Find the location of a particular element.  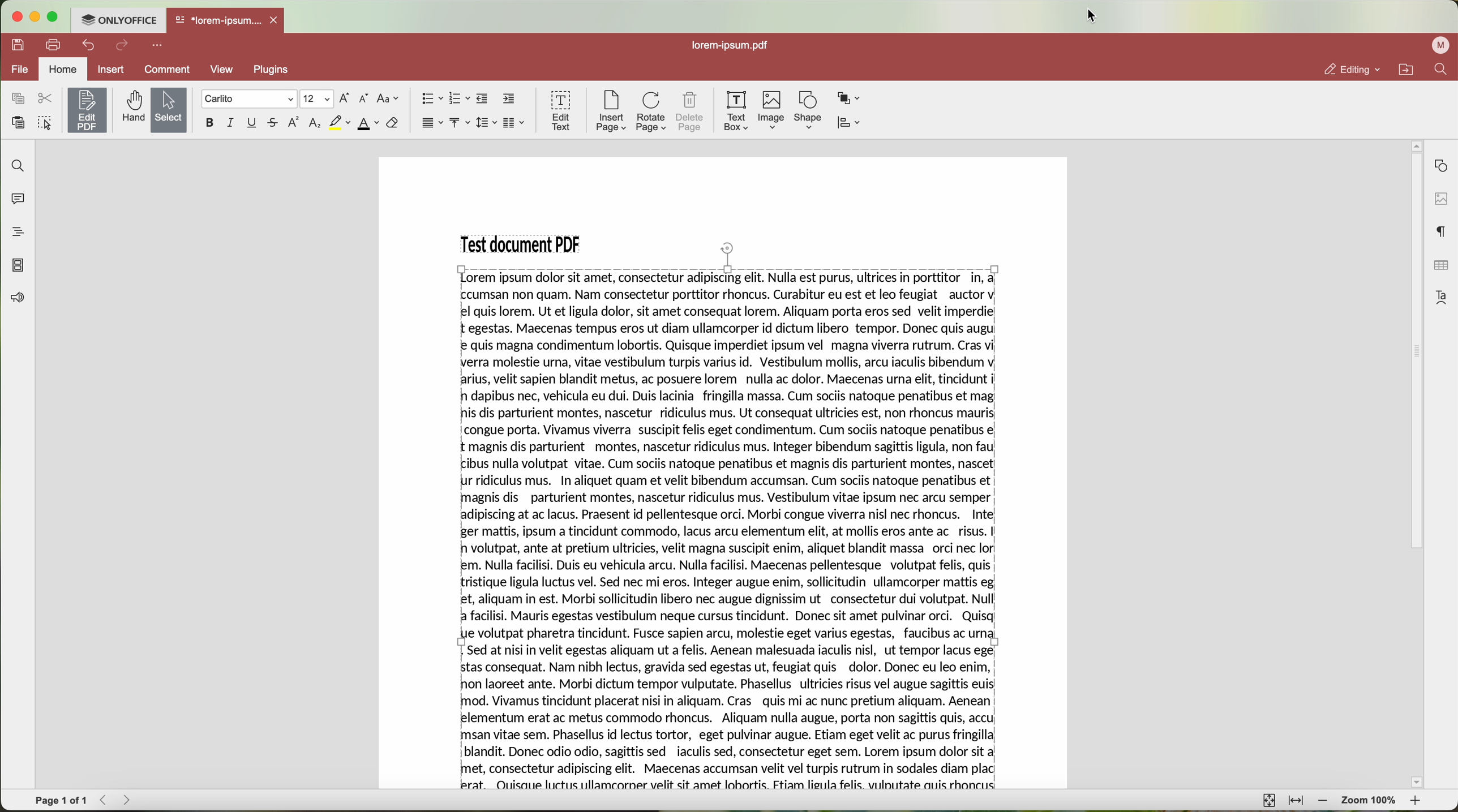

insert columns is located at coordinates (513, 123).